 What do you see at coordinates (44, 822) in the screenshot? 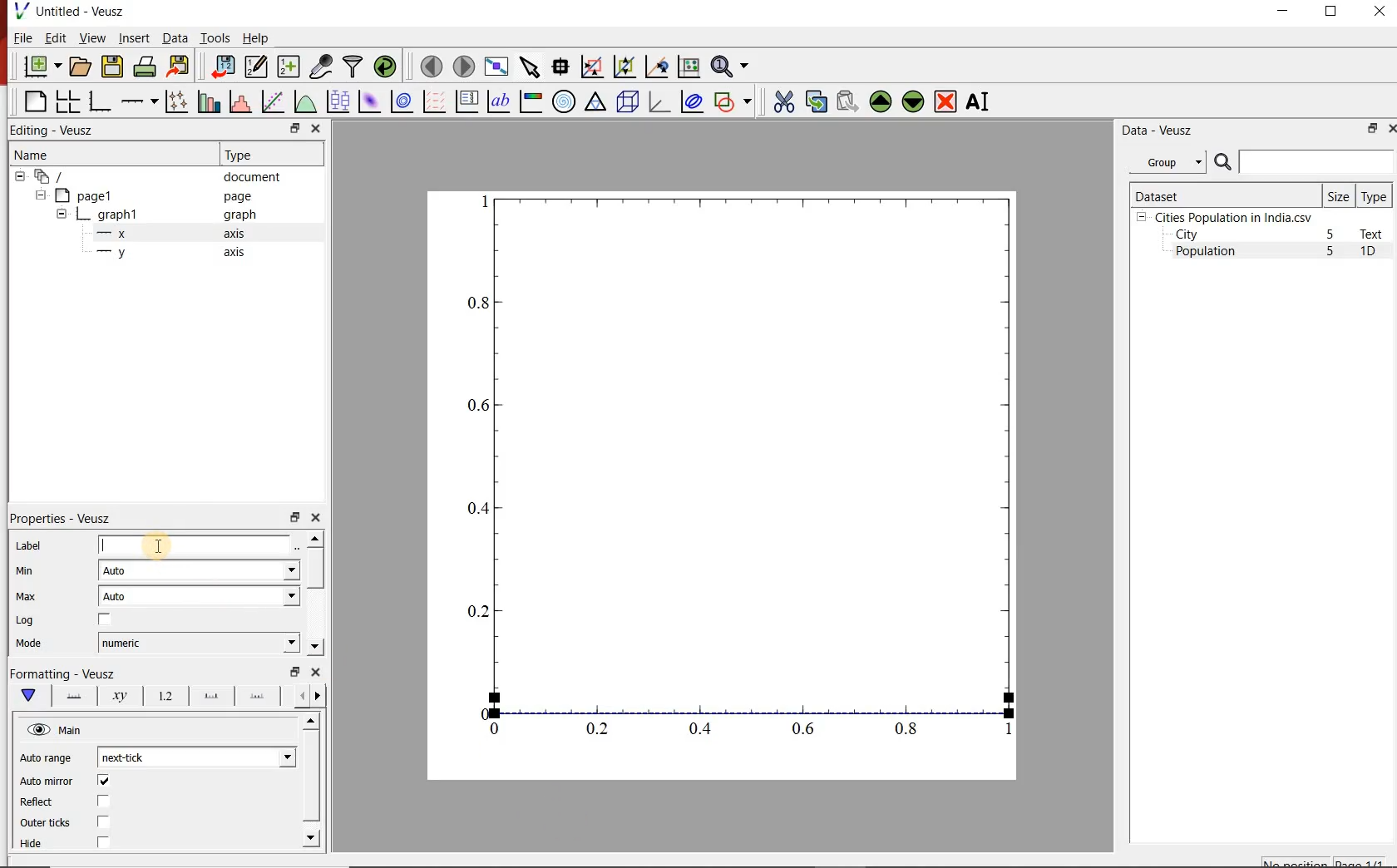
I see `Outer ticks` at bounding box center [44, 822].